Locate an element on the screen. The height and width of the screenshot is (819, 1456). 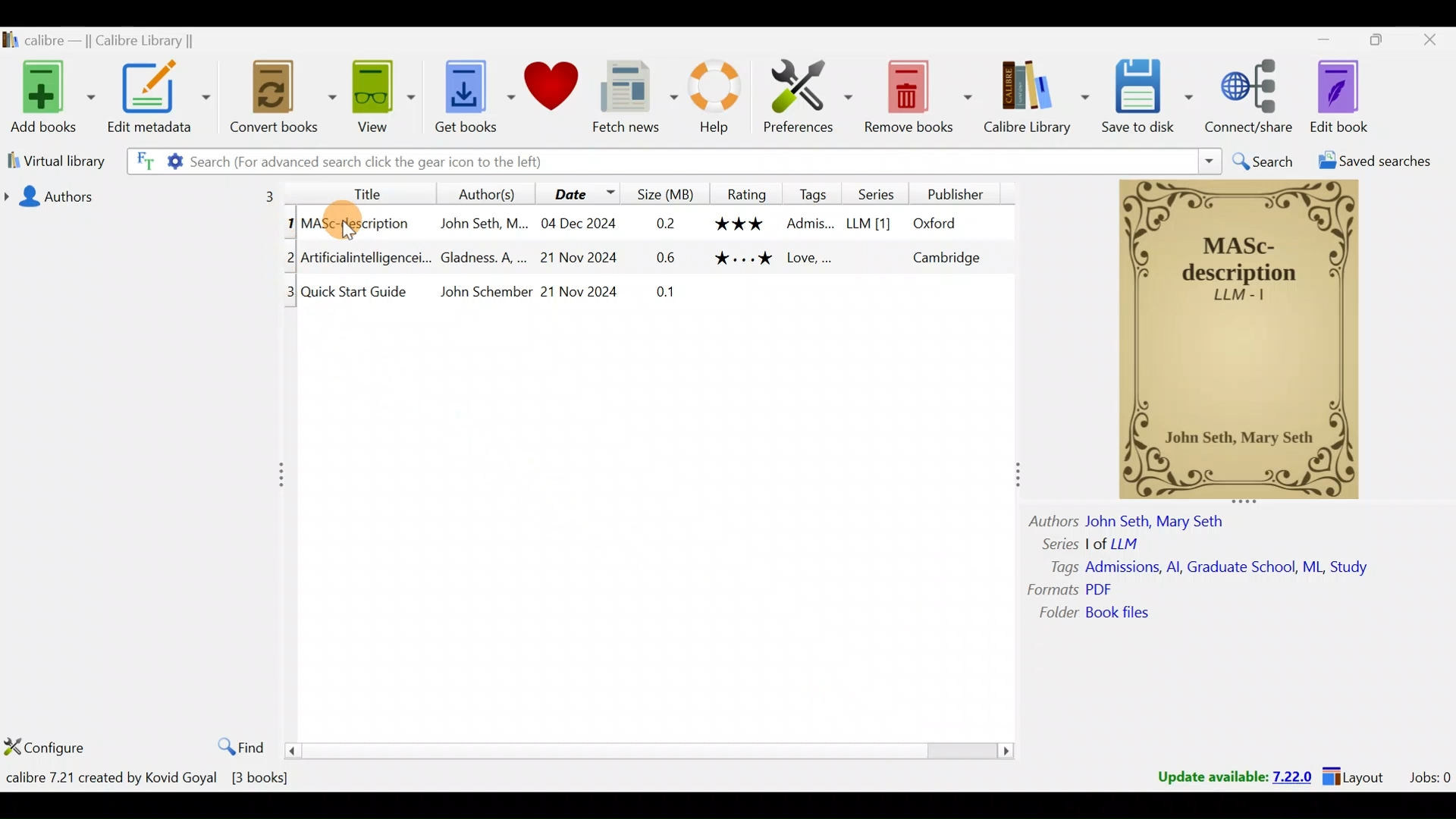
Save to disk is located at coordinates (1150, 96).